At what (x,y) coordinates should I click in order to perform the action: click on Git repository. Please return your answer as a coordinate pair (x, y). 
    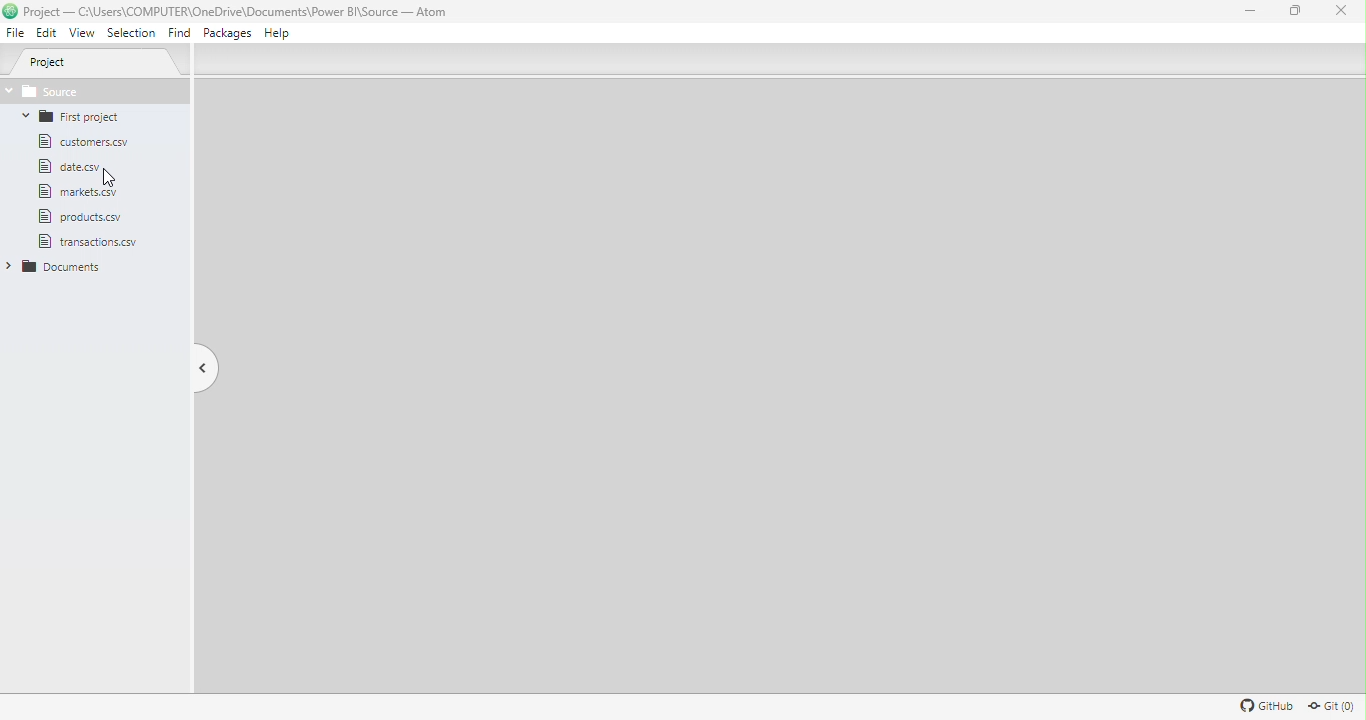
    Looking at the image, I should click on (1333, 705).